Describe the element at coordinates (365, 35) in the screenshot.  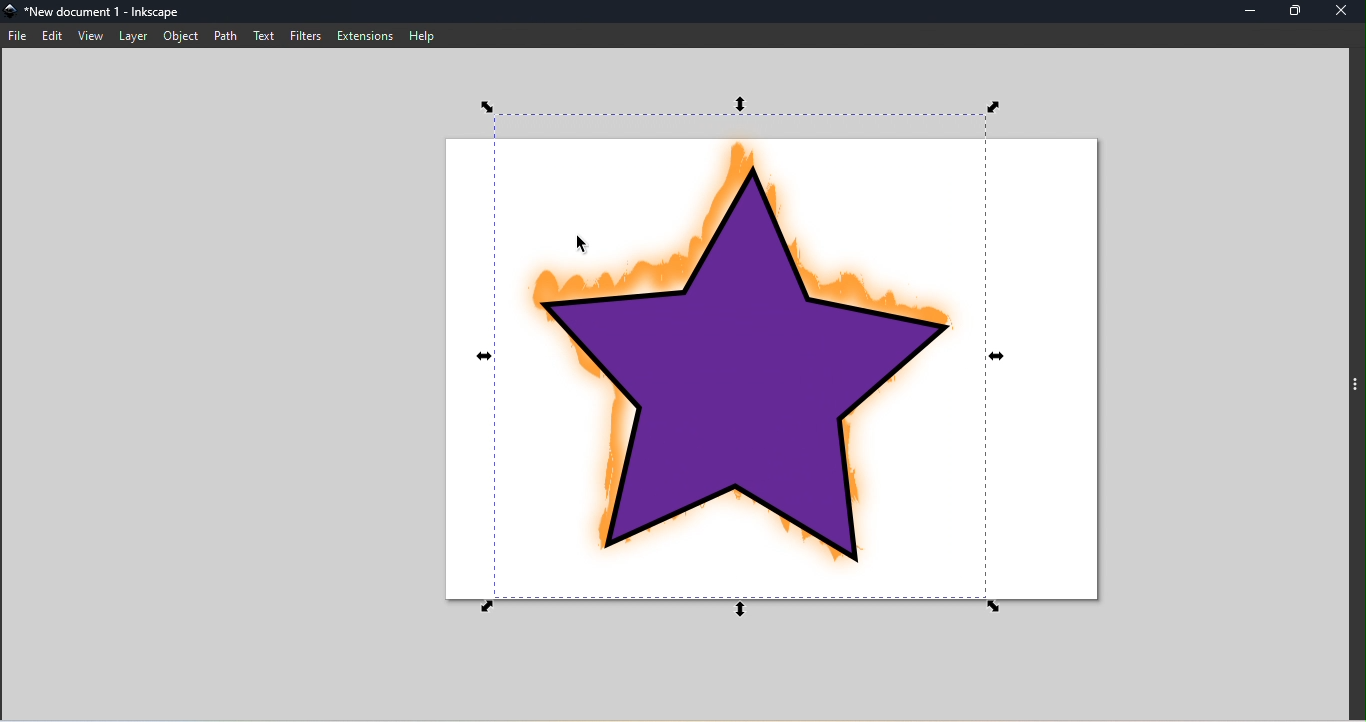
I see `Extensions` at that location.